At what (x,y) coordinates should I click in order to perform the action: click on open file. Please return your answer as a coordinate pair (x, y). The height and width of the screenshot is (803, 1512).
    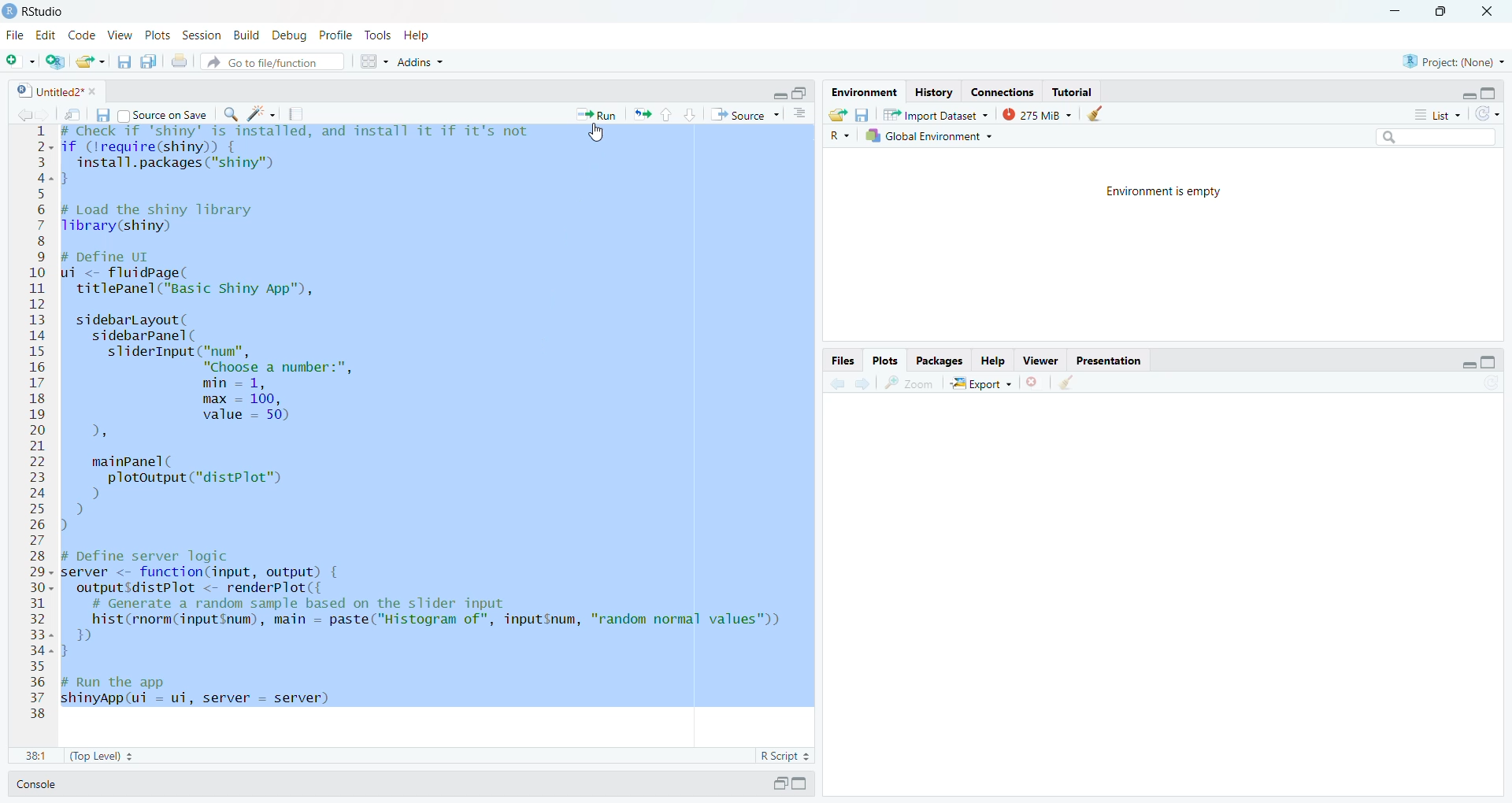
    Looking at the image, I should click on (92, 62).